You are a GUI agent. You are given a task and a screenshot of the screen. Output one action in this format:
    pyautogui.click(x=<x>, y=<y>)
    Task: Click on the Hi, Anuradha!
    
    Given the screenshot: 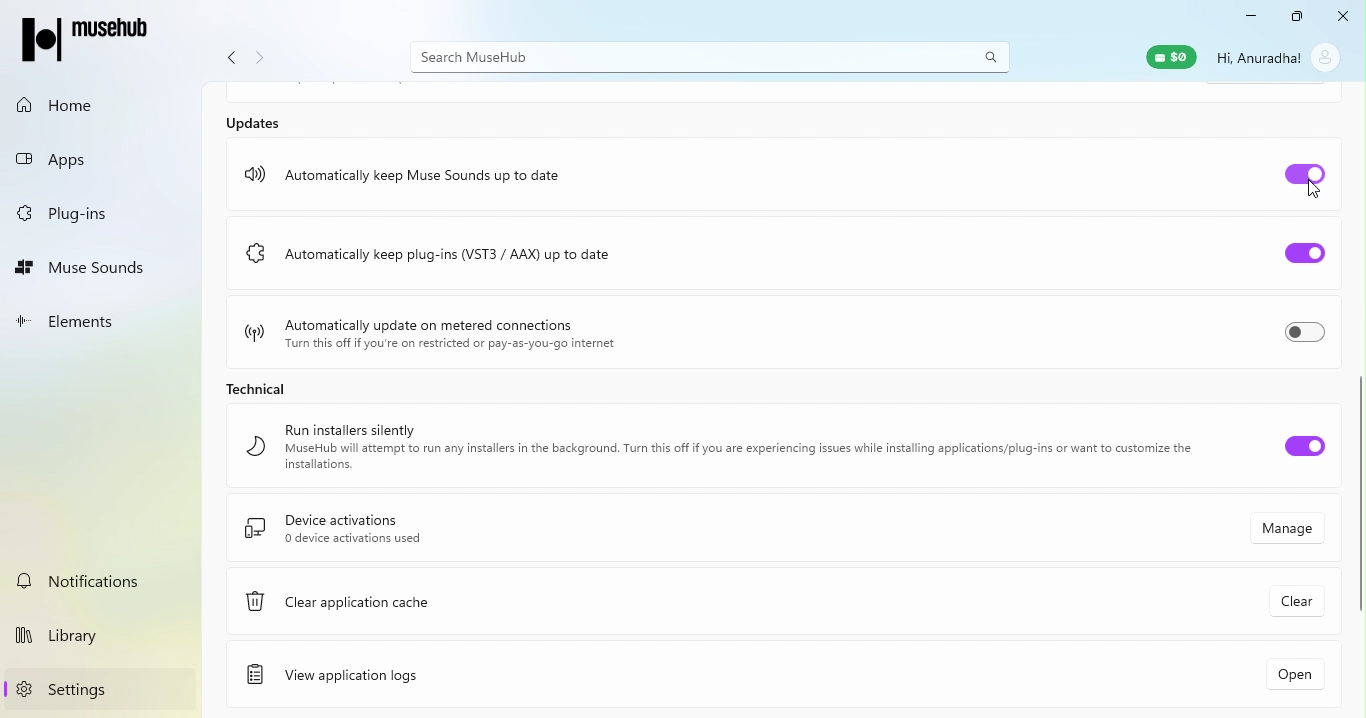 What is the action you would take?
    pyautogui.click(x=1260, y=57)
    